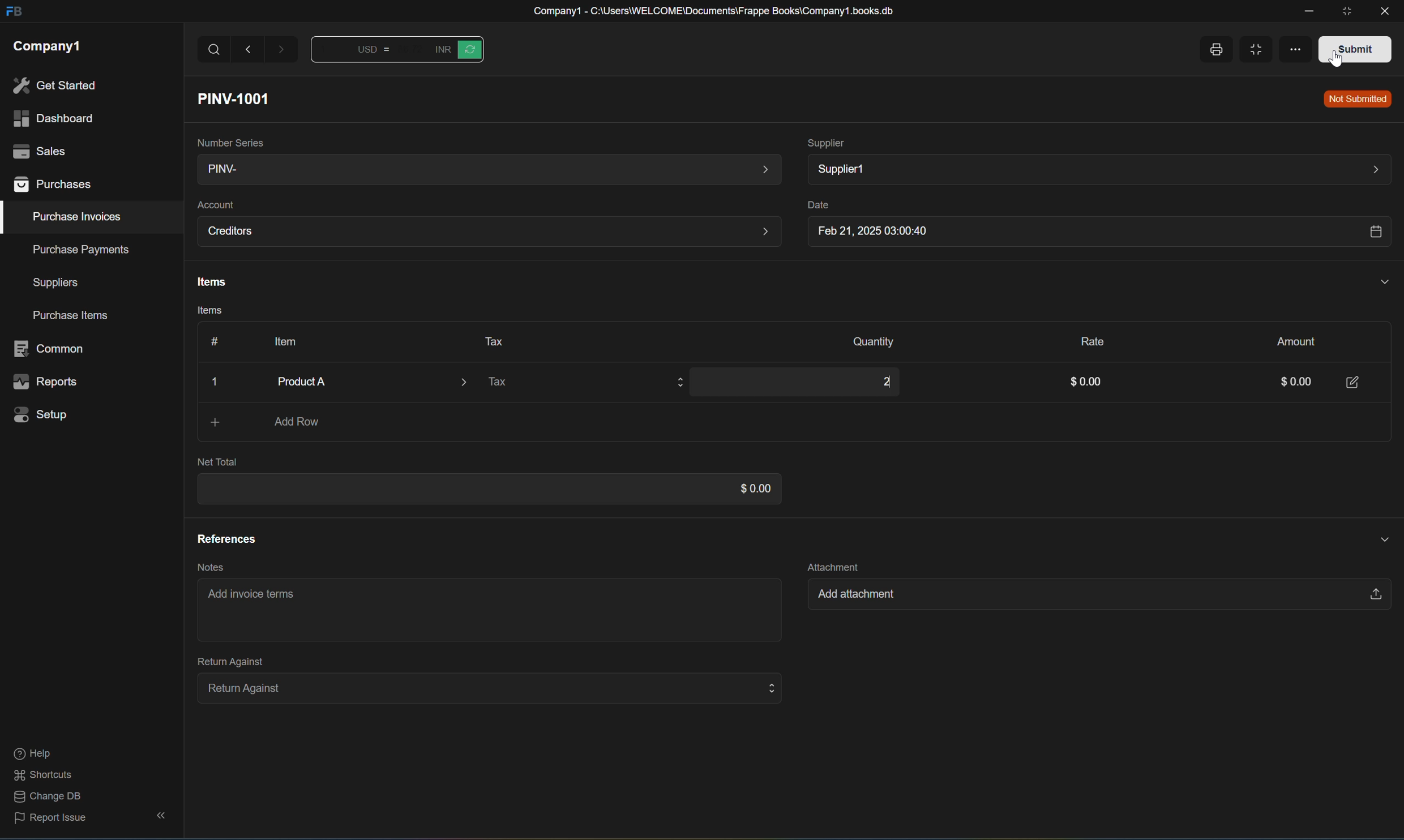  I want to click on Edit, so click(1354, 381).